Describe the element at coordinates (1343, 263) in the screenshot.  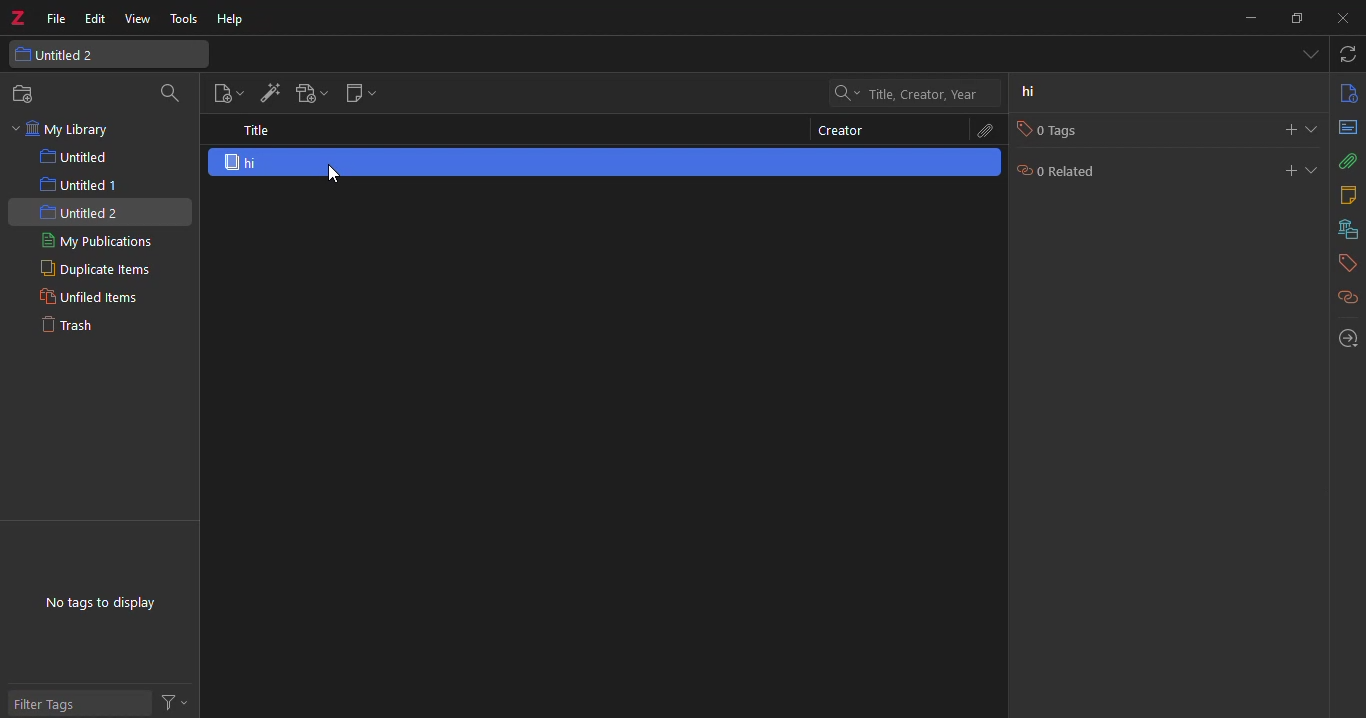
I see `tags` at that location.